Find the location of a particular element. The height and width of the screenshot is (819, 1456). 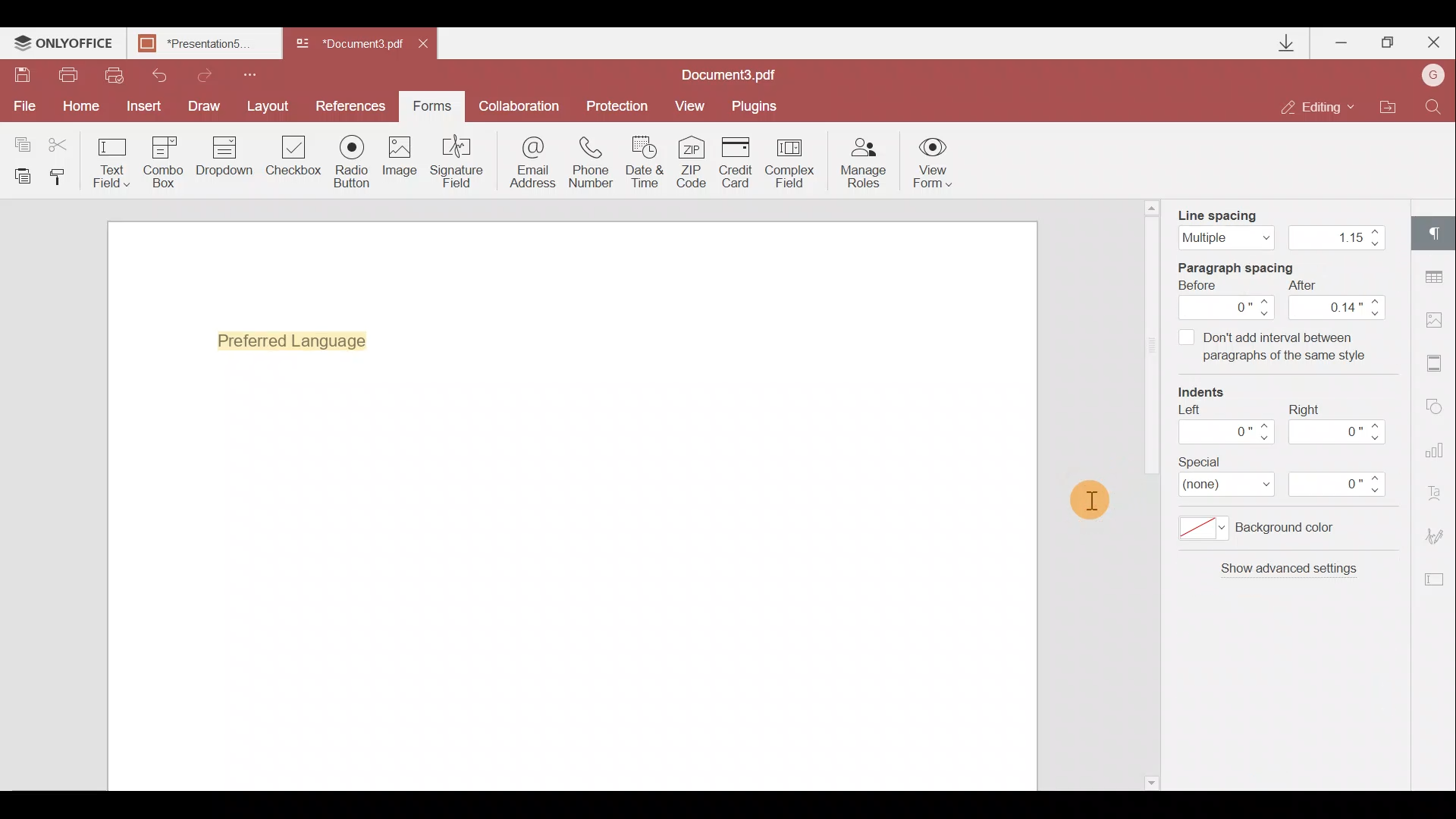

o is located at coordinates (1228, 431).